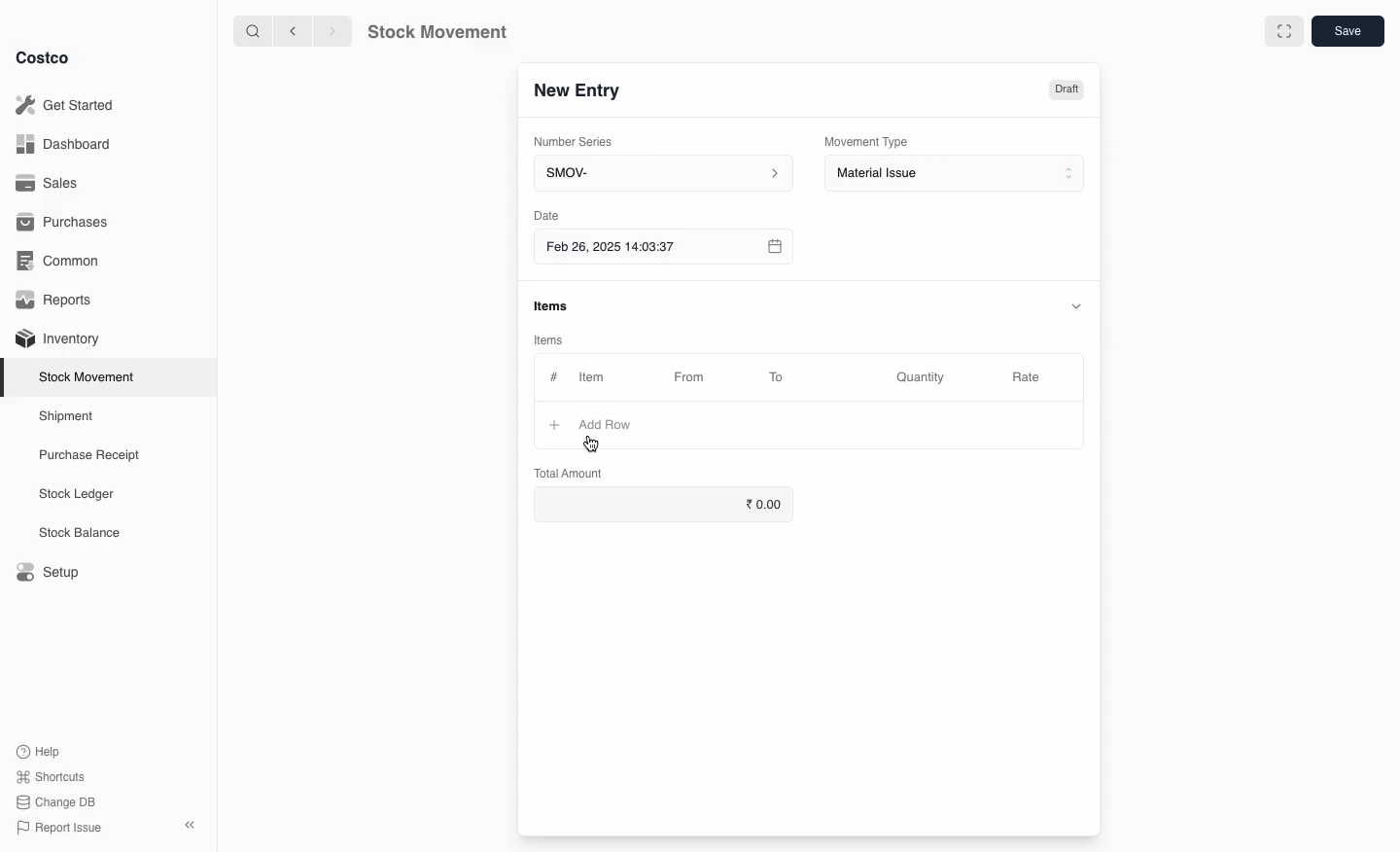  Describe the element at coordinates (596, 444) in the screenshot. I see `Cursor` at that location.